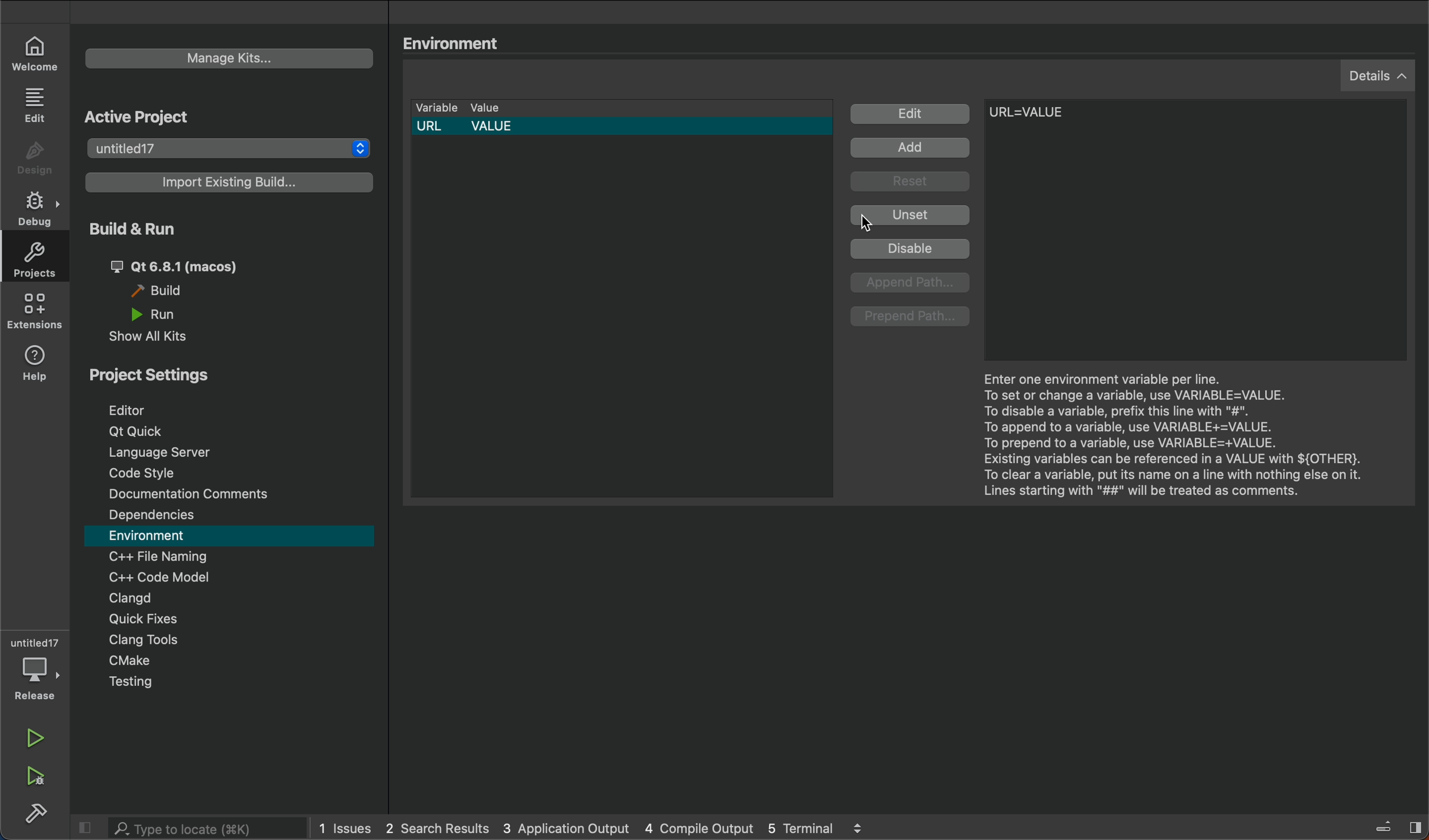 This screenshot has width=1429, height=840. Describe the element at coordinates (127, 597) in the screenshot. I see `clangd` at that location.